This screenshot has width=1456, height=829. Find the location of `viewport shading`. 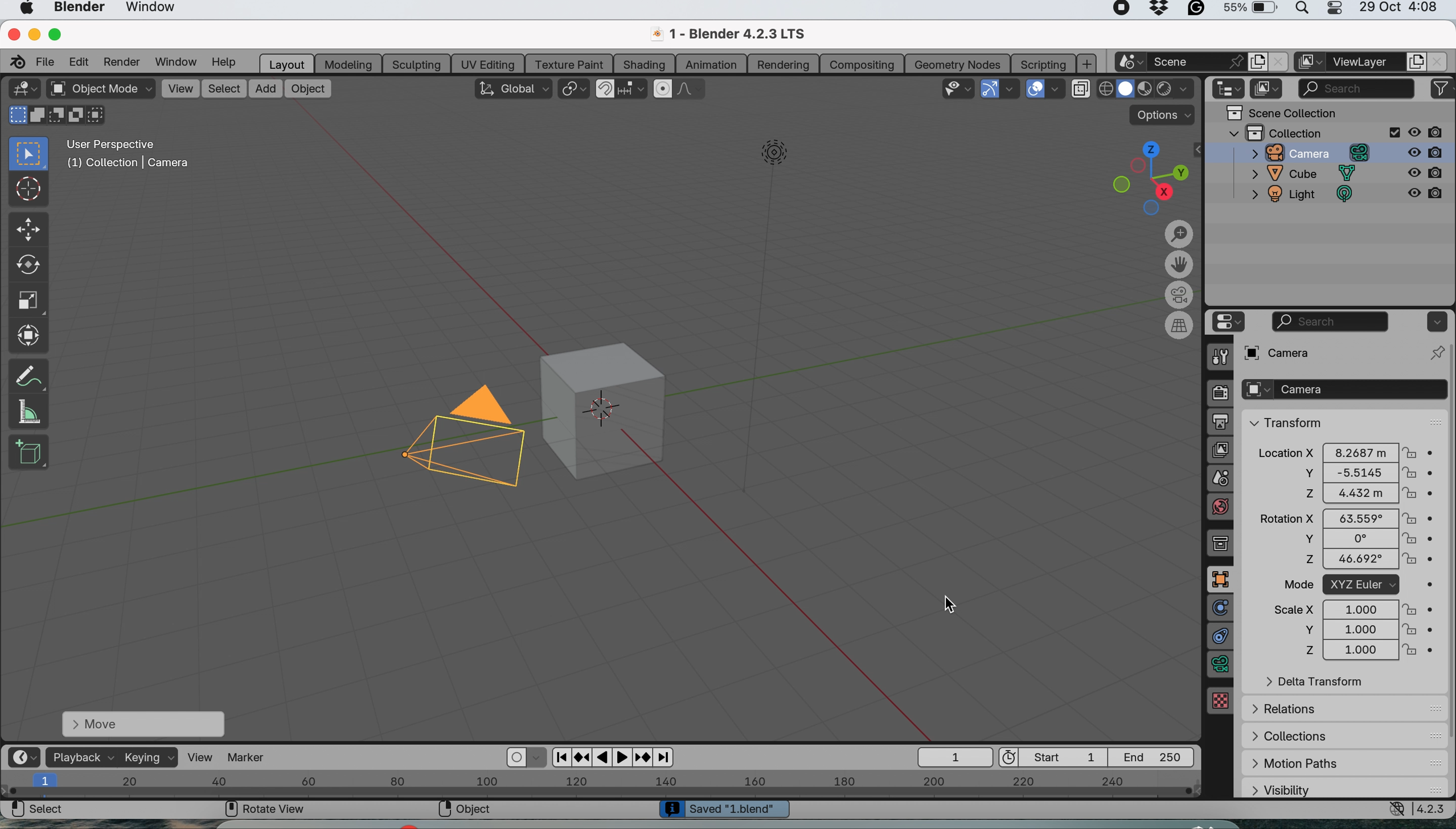

viewport shading is located at coordinates (1147, 89).